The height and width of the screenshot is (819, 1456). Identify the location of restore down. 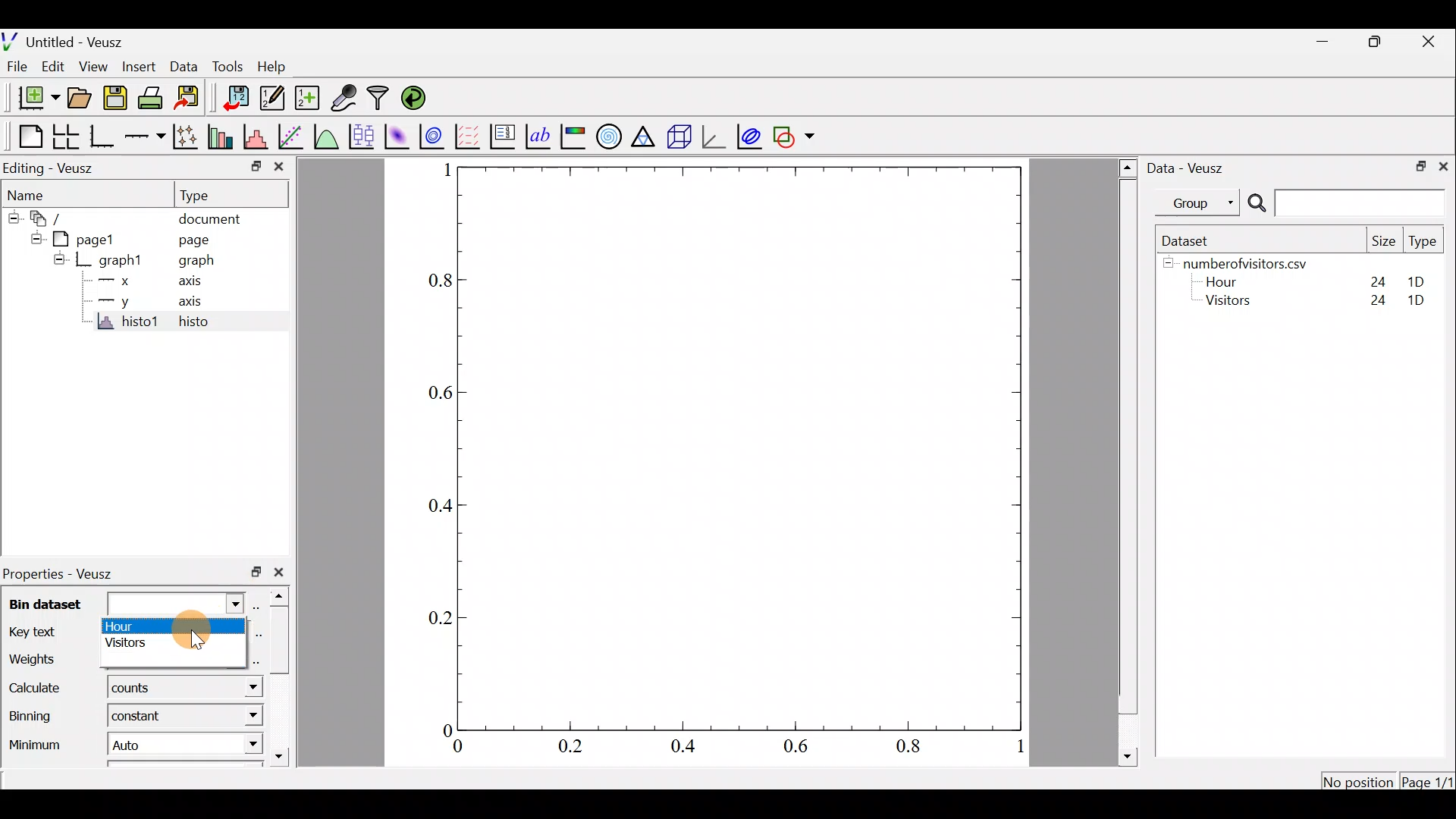
(1379, 44).